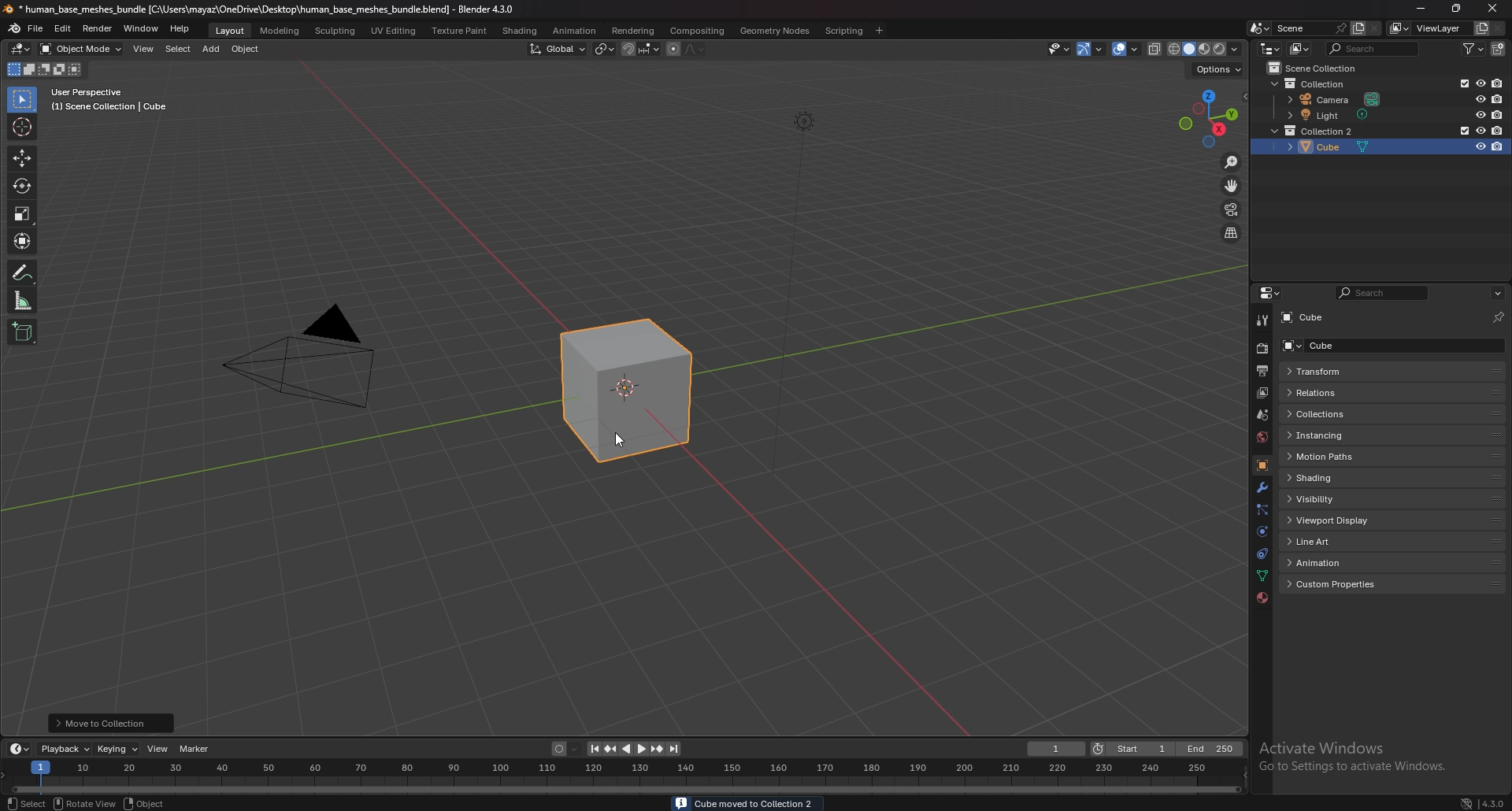 The image size is (1512, 811). I want to click on hide in viewport, so click(1480, 130).